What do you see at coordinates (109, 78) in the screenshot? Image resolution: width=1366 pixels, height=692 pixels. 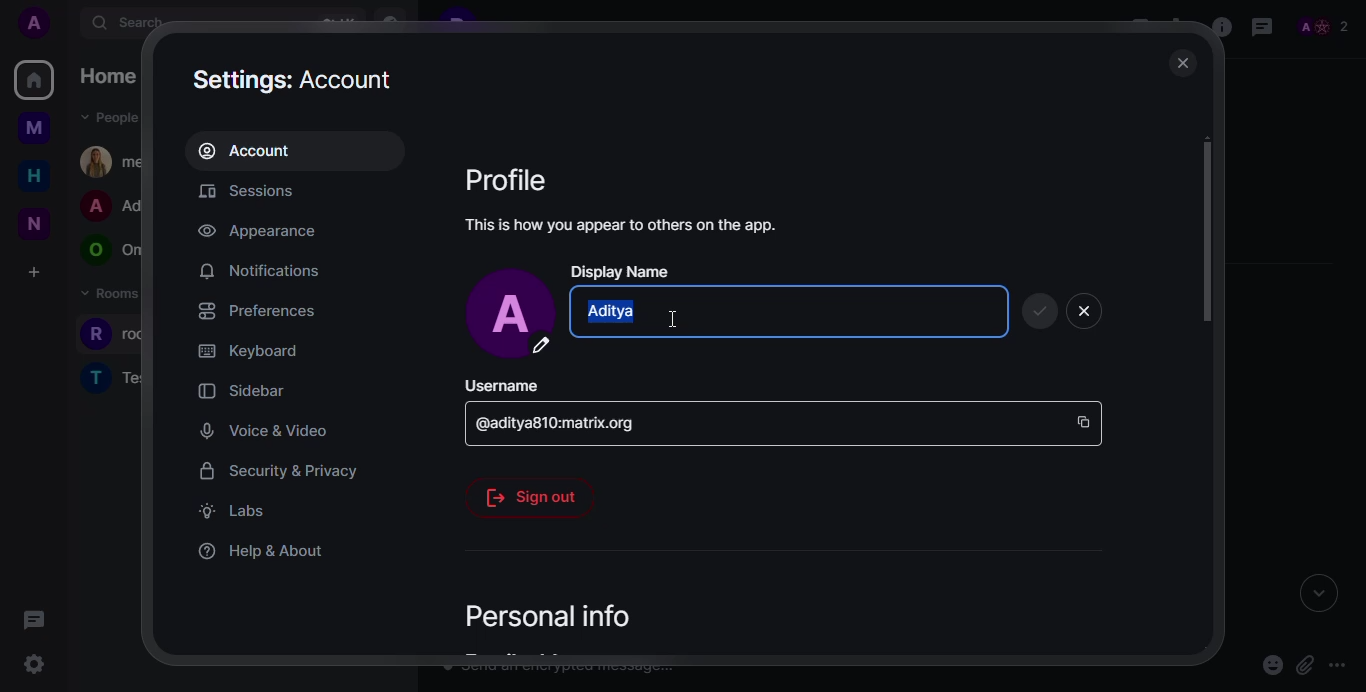 I see `home` at bounding box center [109, 78].